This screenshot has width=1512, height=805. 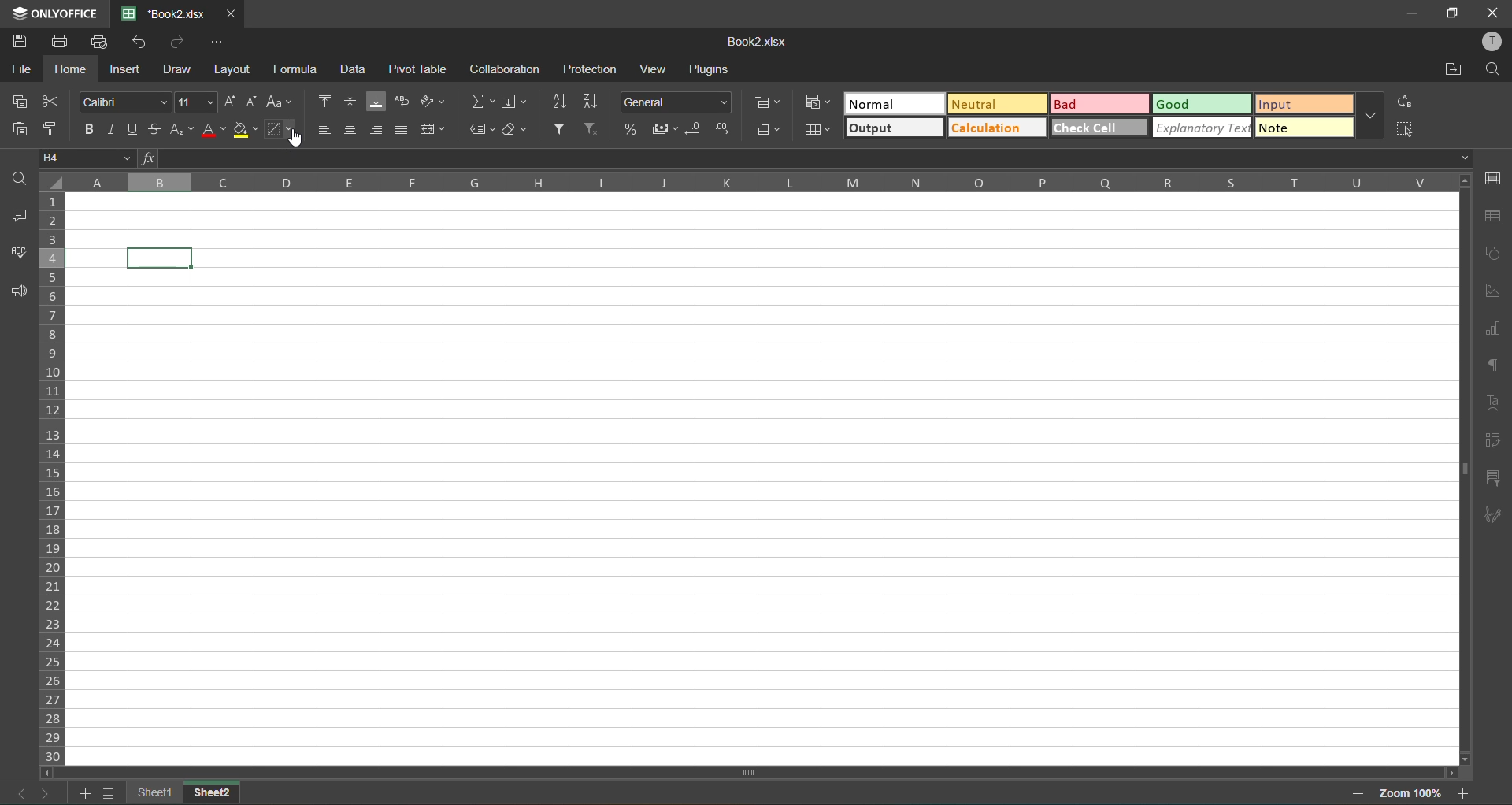 I want to click on MAXIMISE, so click(x=1454, y=15).